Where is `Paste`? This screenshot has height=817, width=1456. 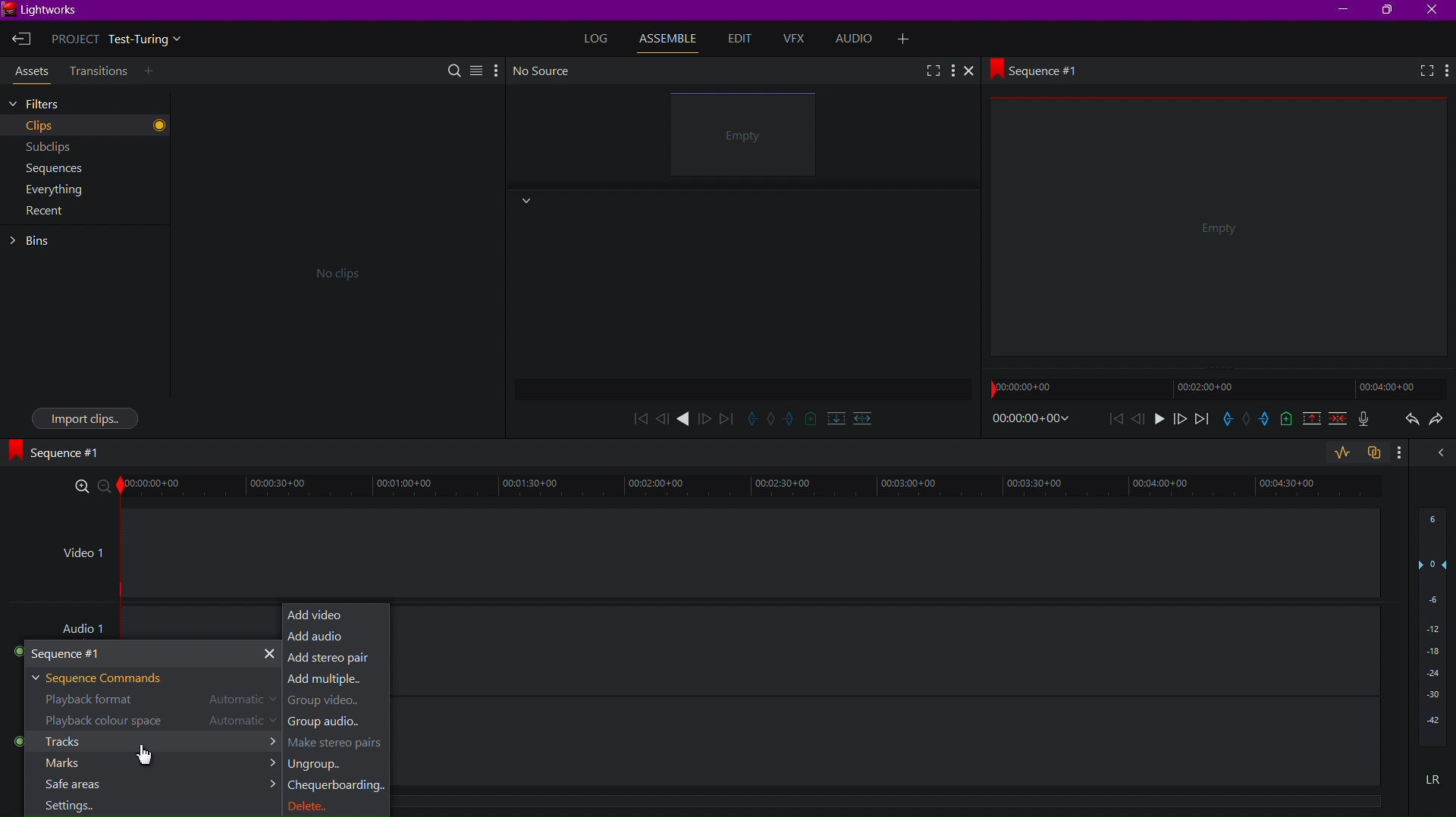 Paste is located at coordinates (1378, 454).